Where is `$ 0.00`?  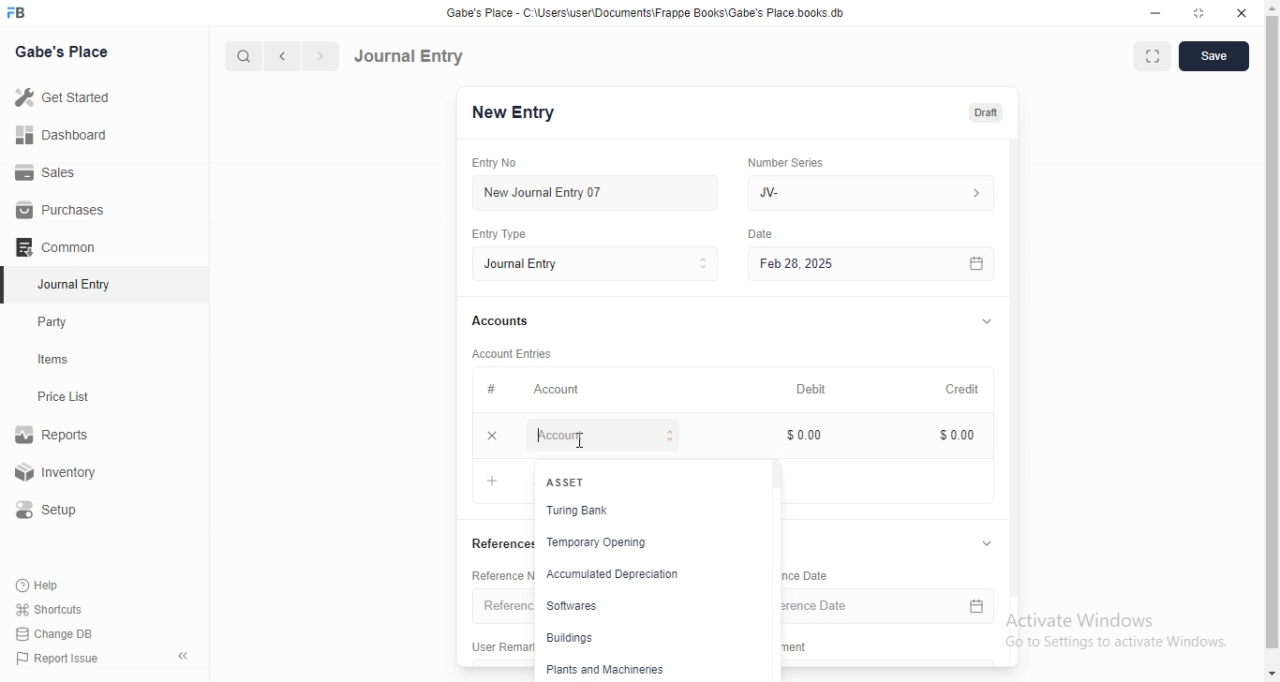
$ 0.00 is located at coordinates (811, 435).